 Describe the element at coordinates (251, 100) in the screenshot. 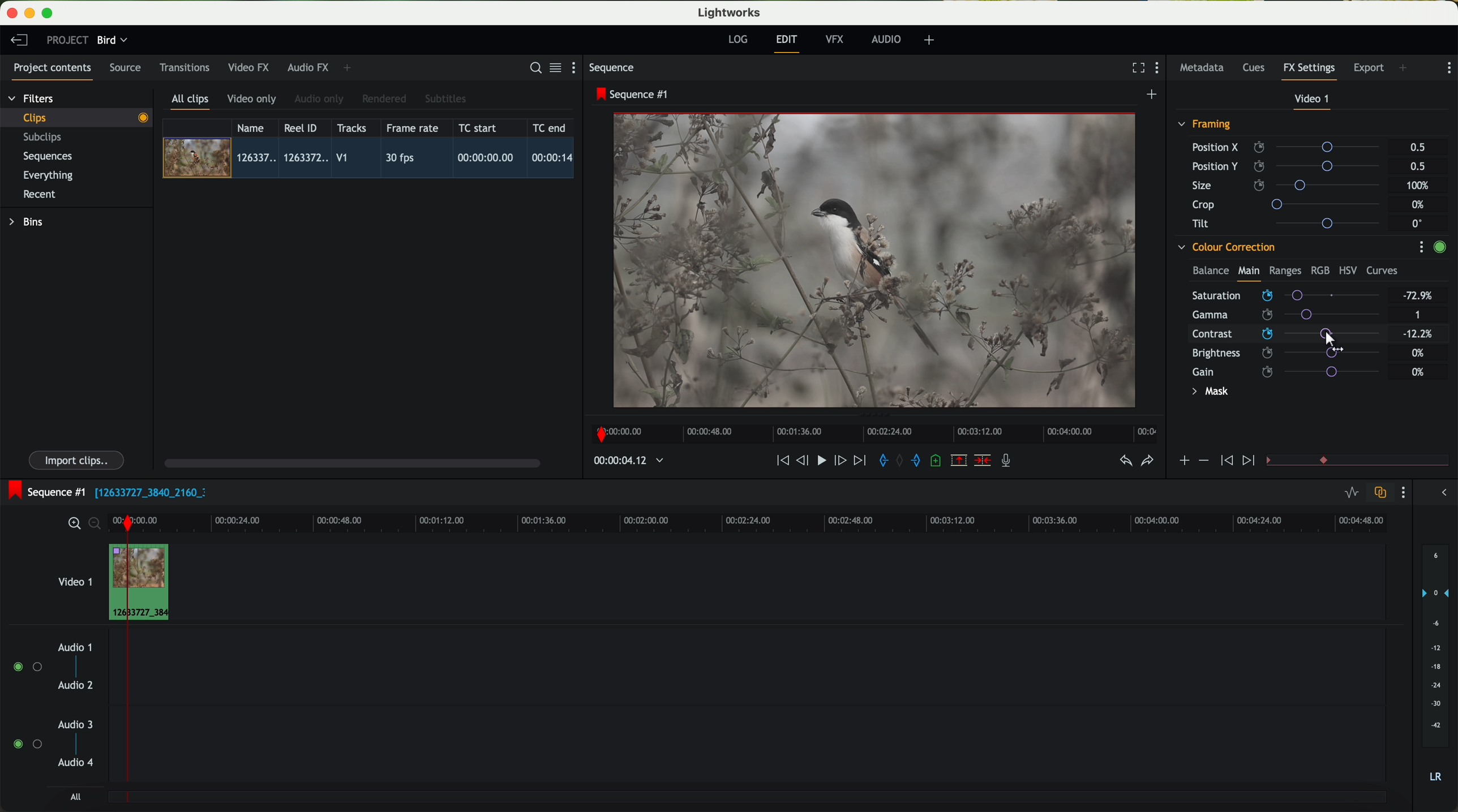

I see `video only` at that location.